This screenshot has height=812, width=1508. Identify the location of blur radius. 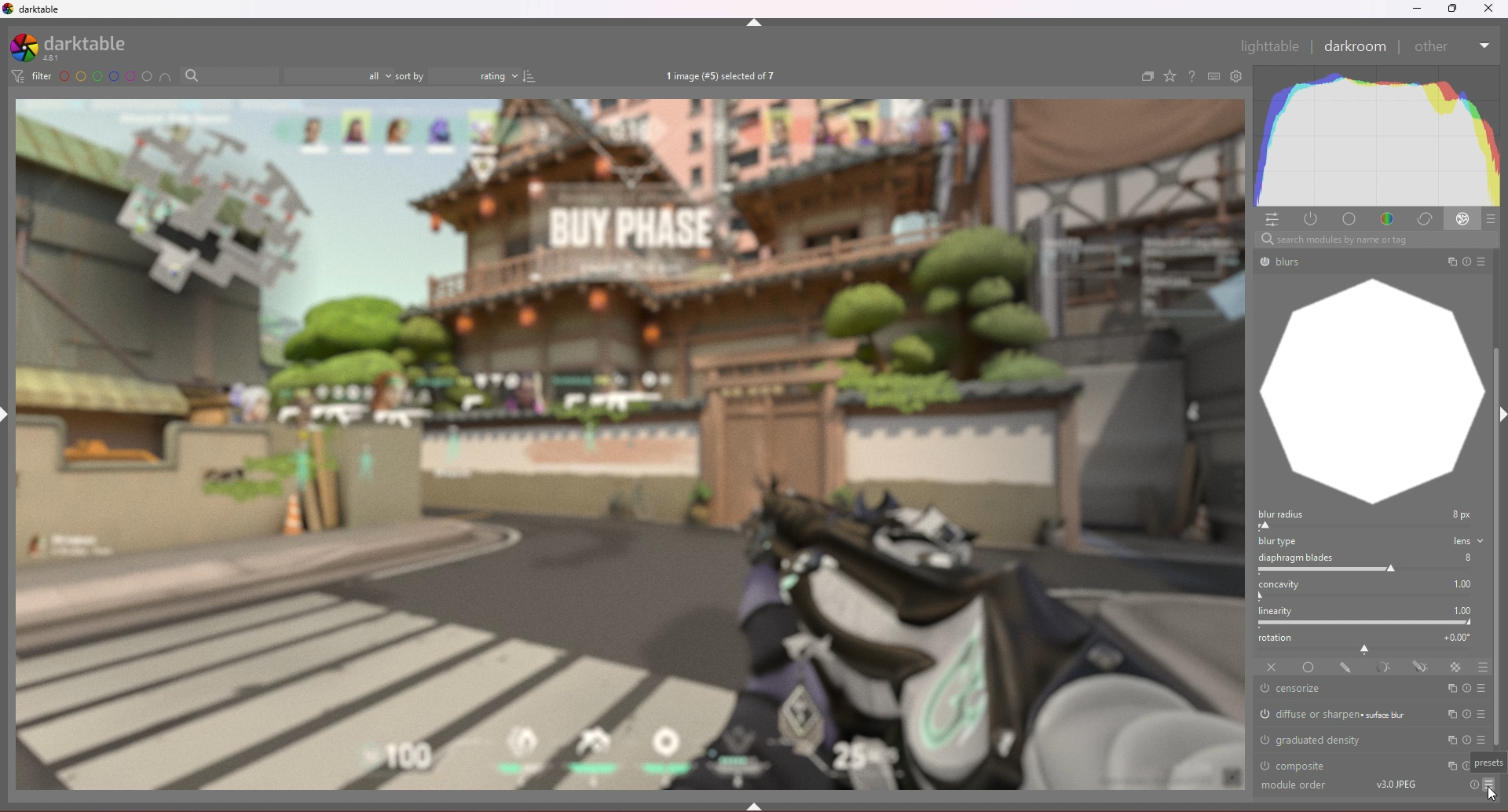
(1369, 519).